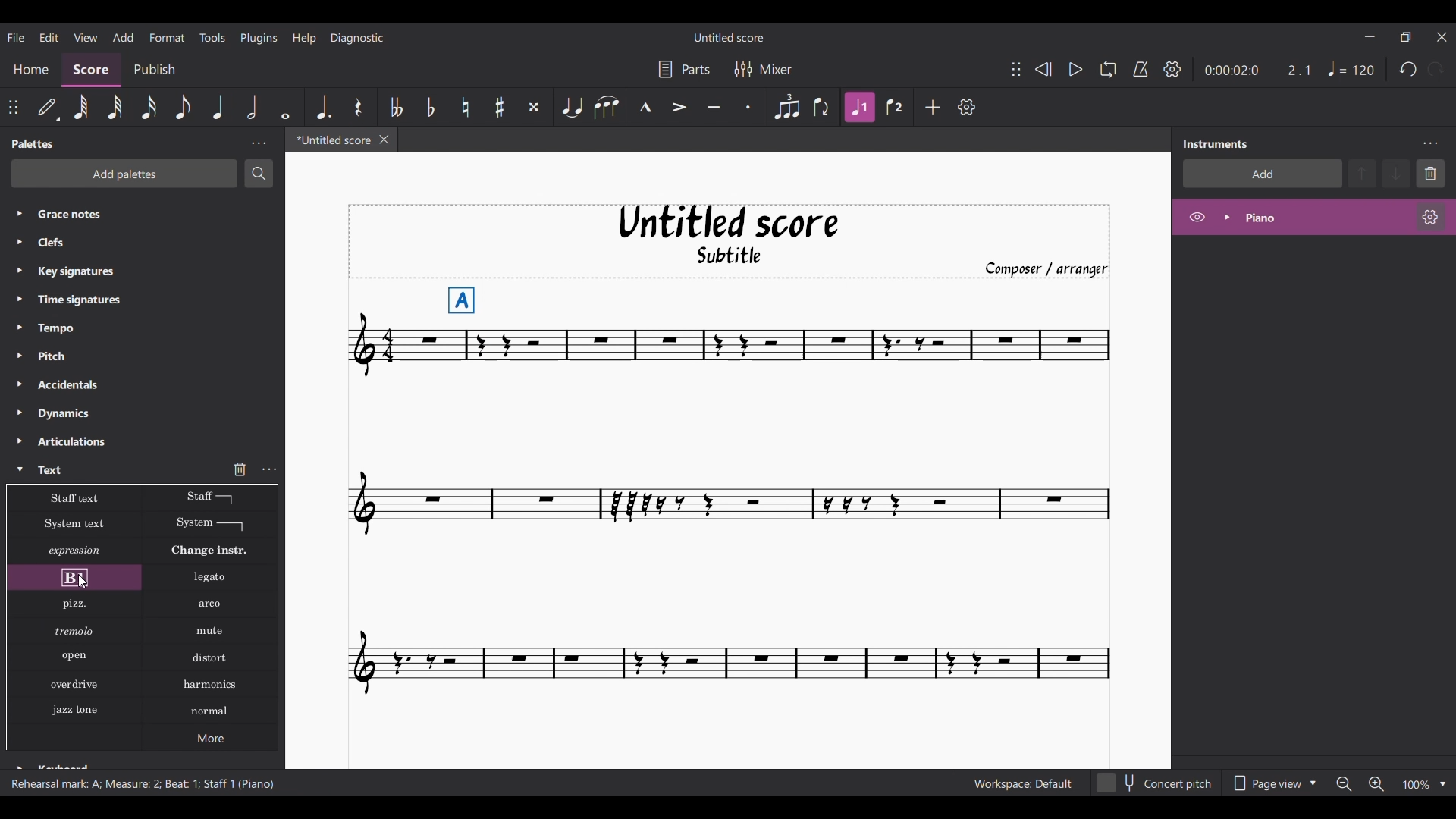  Describe the element at coordinates (1351, 68) in the screenshot. I see `Quarter note` at that location.